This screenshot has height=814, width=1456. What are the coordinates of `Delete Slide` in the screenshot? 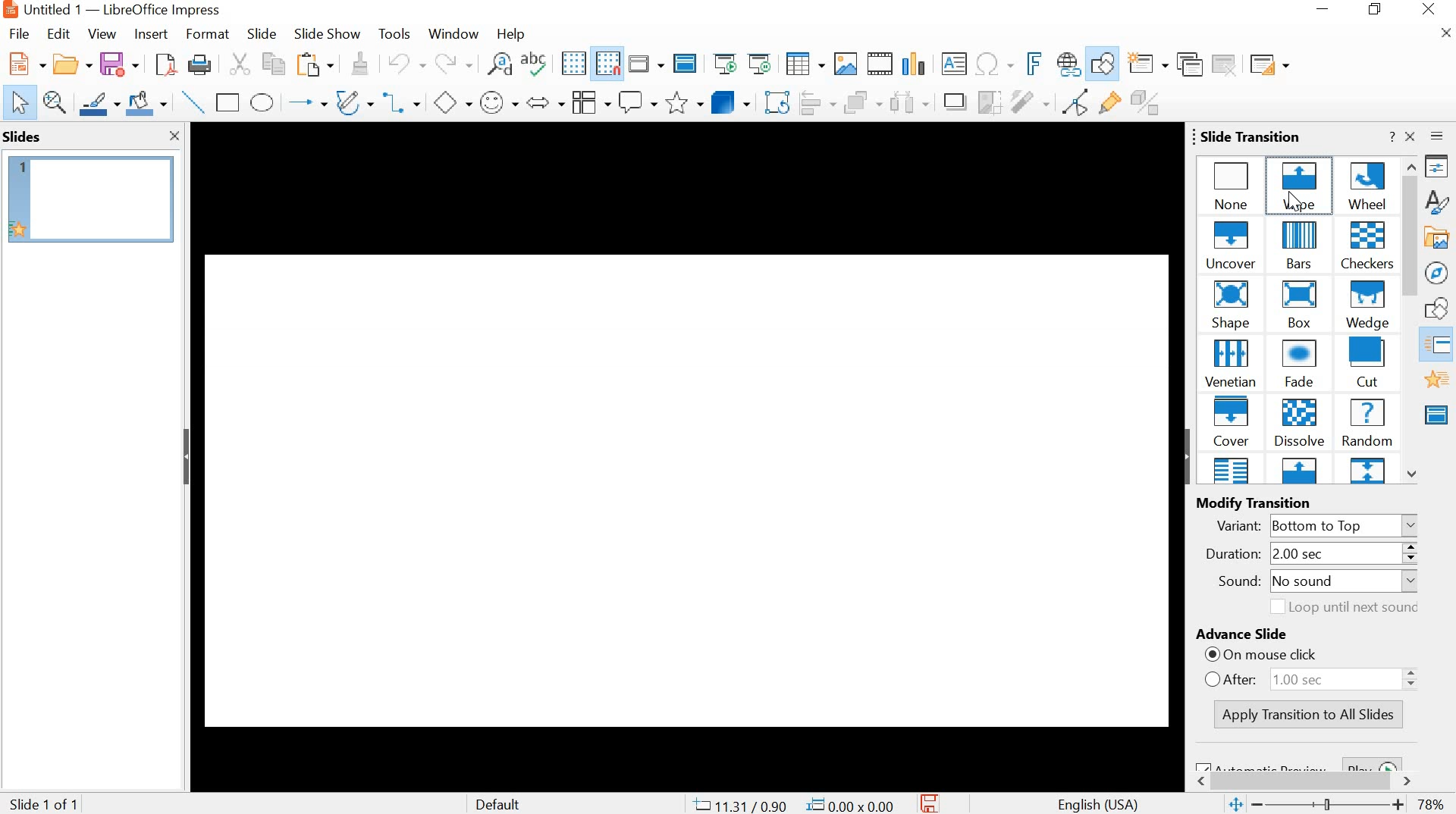 It's located at (1227, 64).